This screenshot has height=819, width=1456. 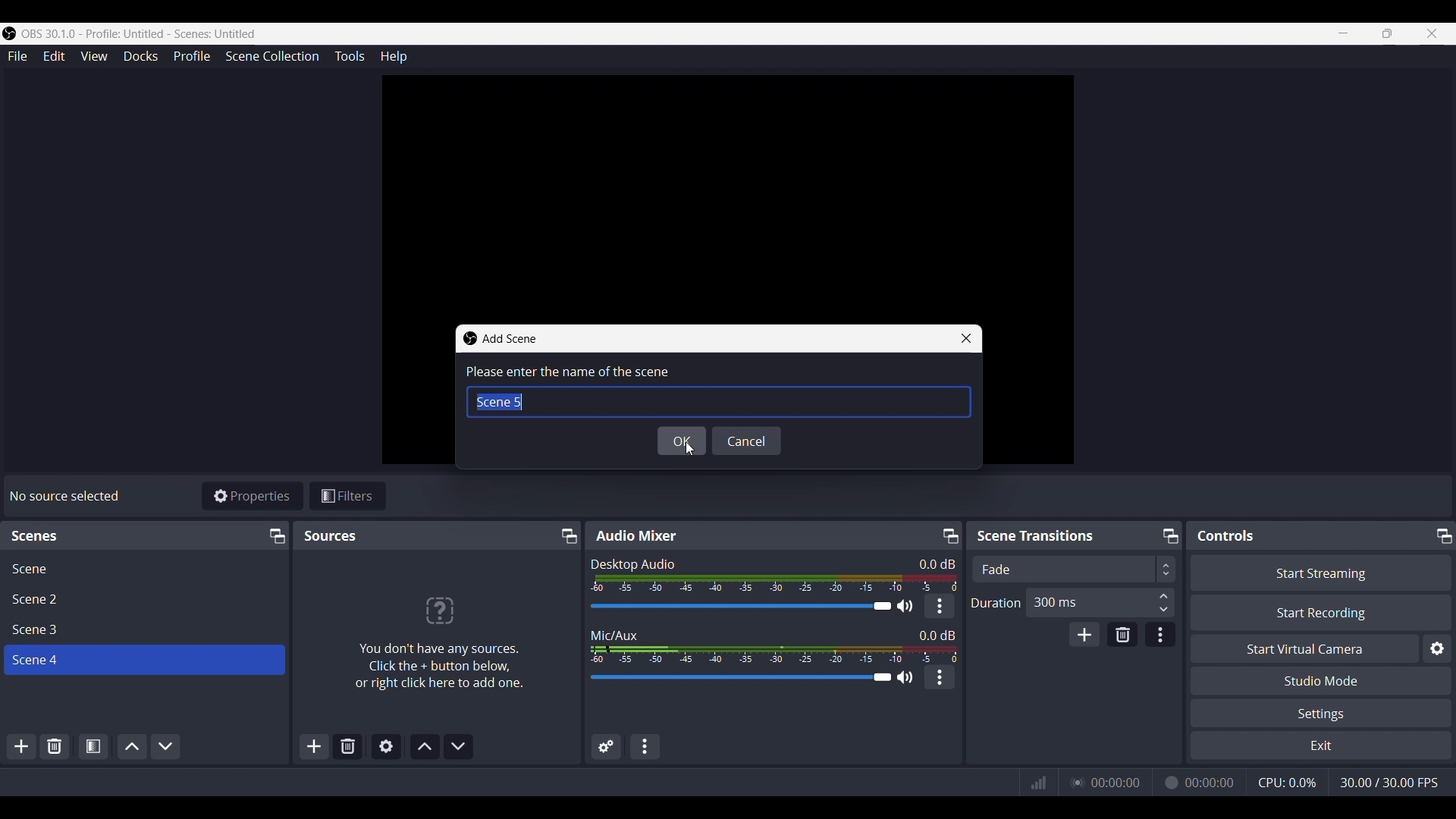 I want to click on Advanced audio properties, so click(x=607, y=745).